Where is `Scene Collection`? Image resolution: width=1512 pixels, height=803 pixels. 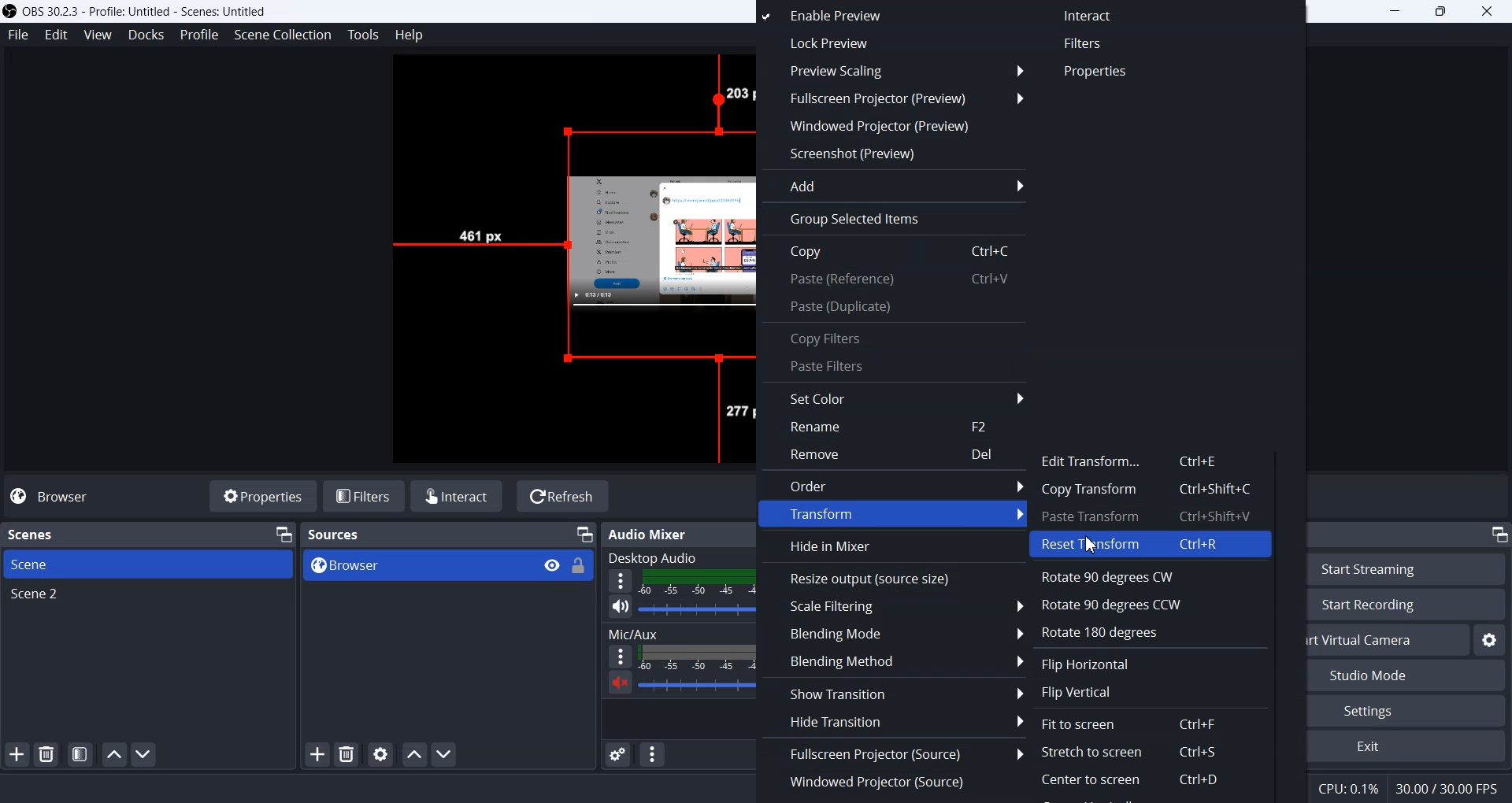
Scene Collection is located at coordinates (283, 35).